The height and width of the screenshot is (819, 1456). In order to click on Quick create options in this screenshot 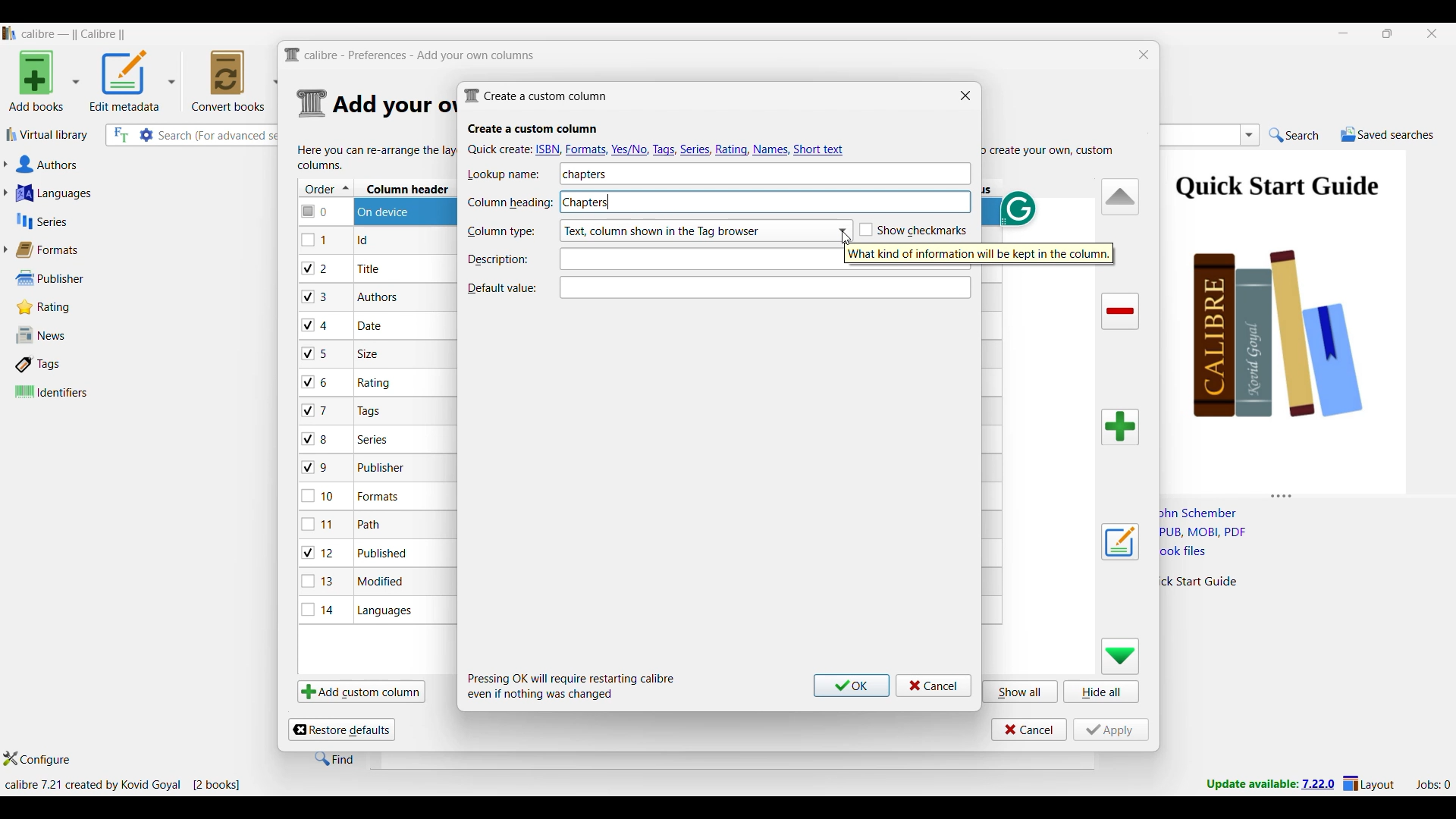, I will do `click(658, 149)`.